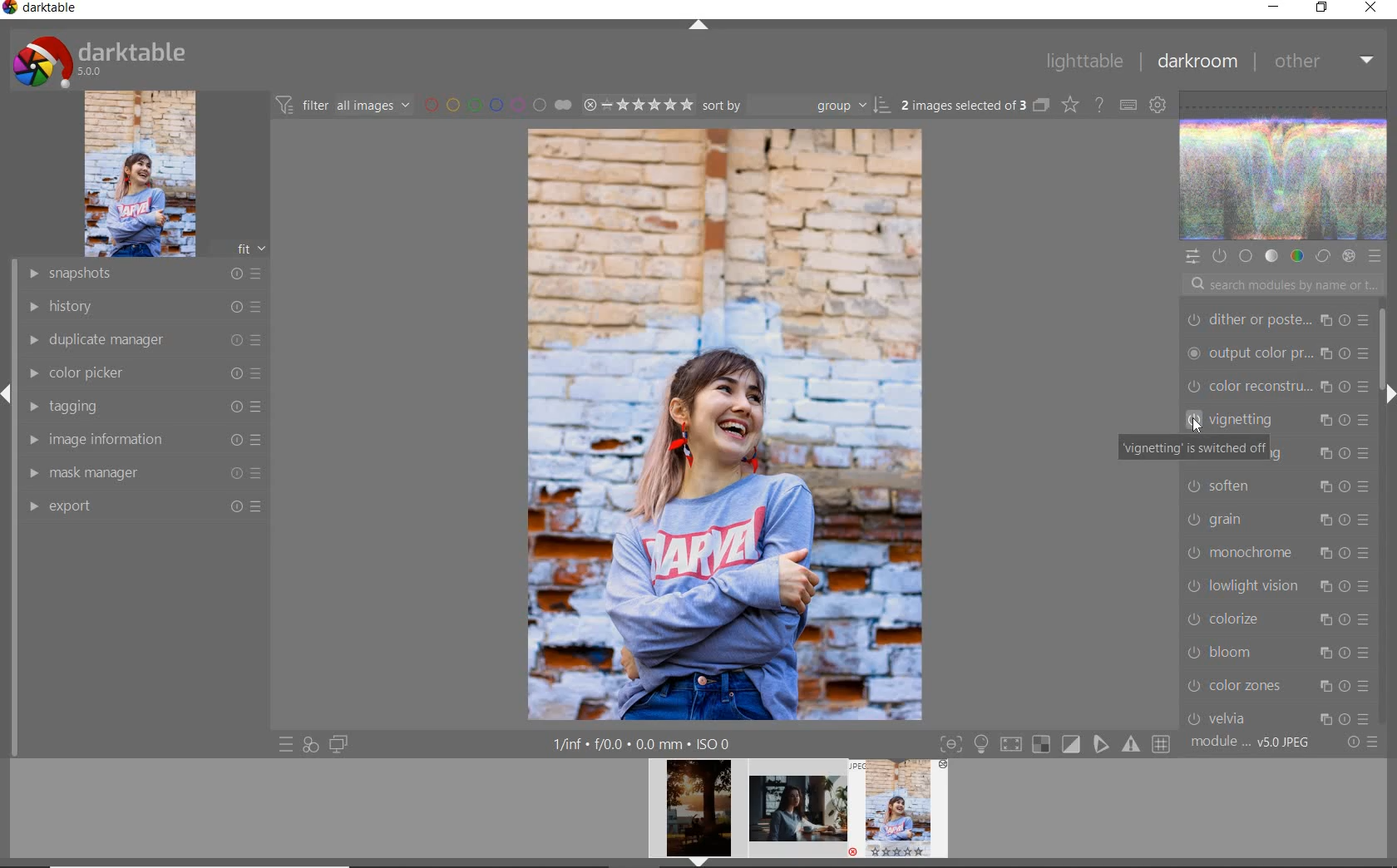 The image size is (1397, 868). Describe the element at coordinates (144, 471) in the screenshot. I see `mask manager` at that location.